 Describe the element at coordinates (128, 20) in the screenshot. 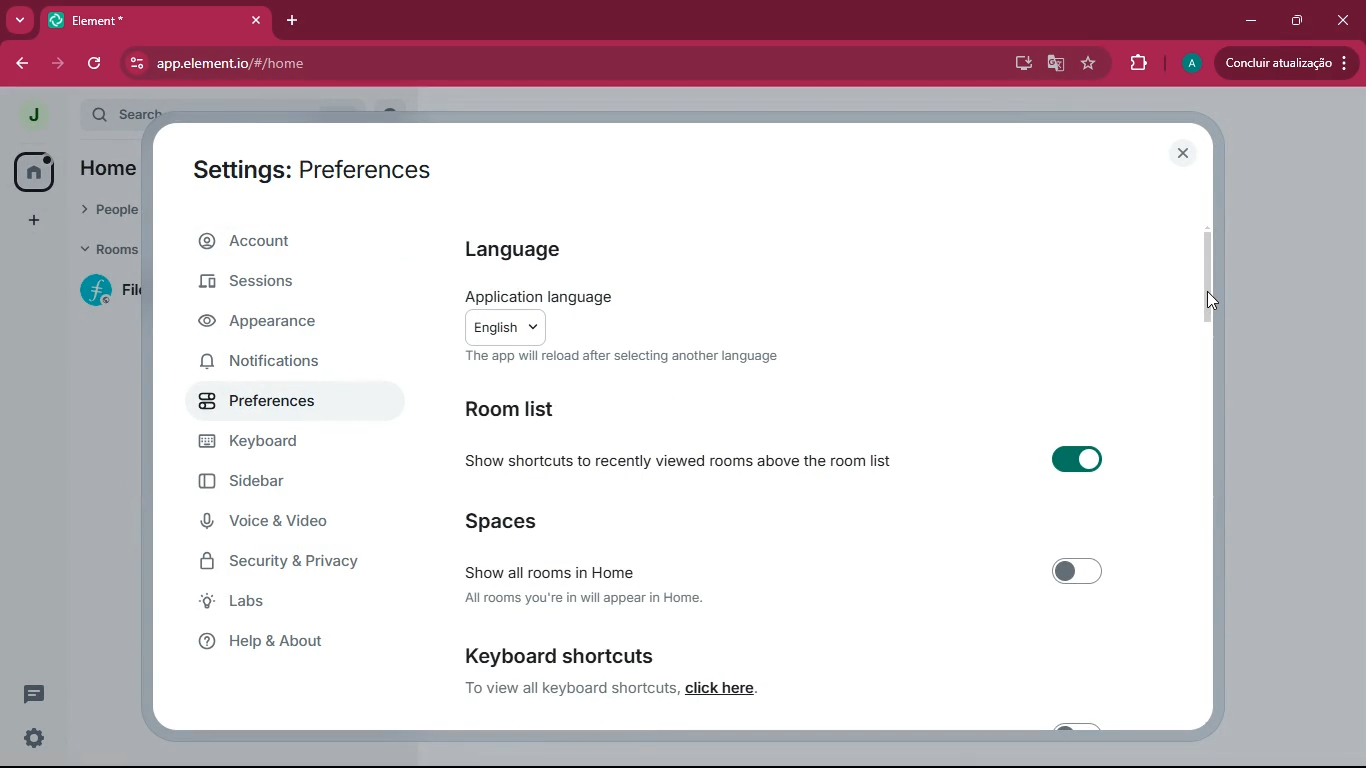

I see `tab` at that location.